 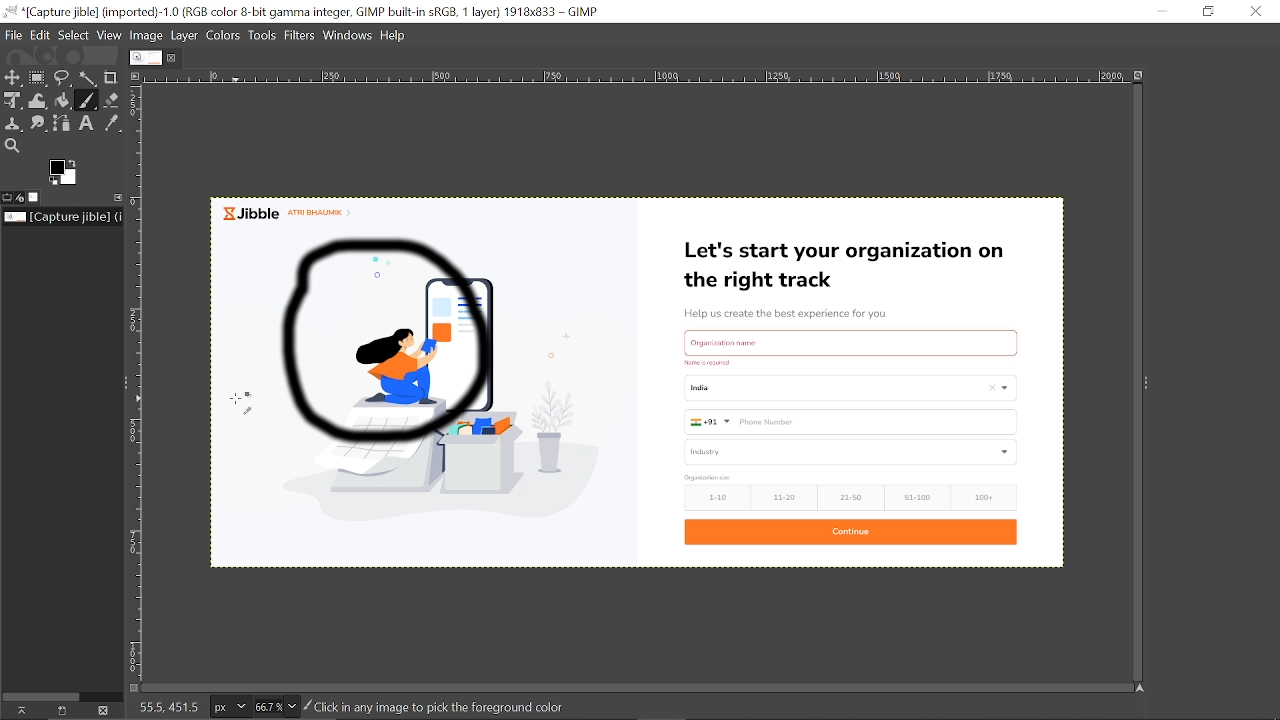 I want to click on Fuzzy select tool , so click(x=88, y=80).